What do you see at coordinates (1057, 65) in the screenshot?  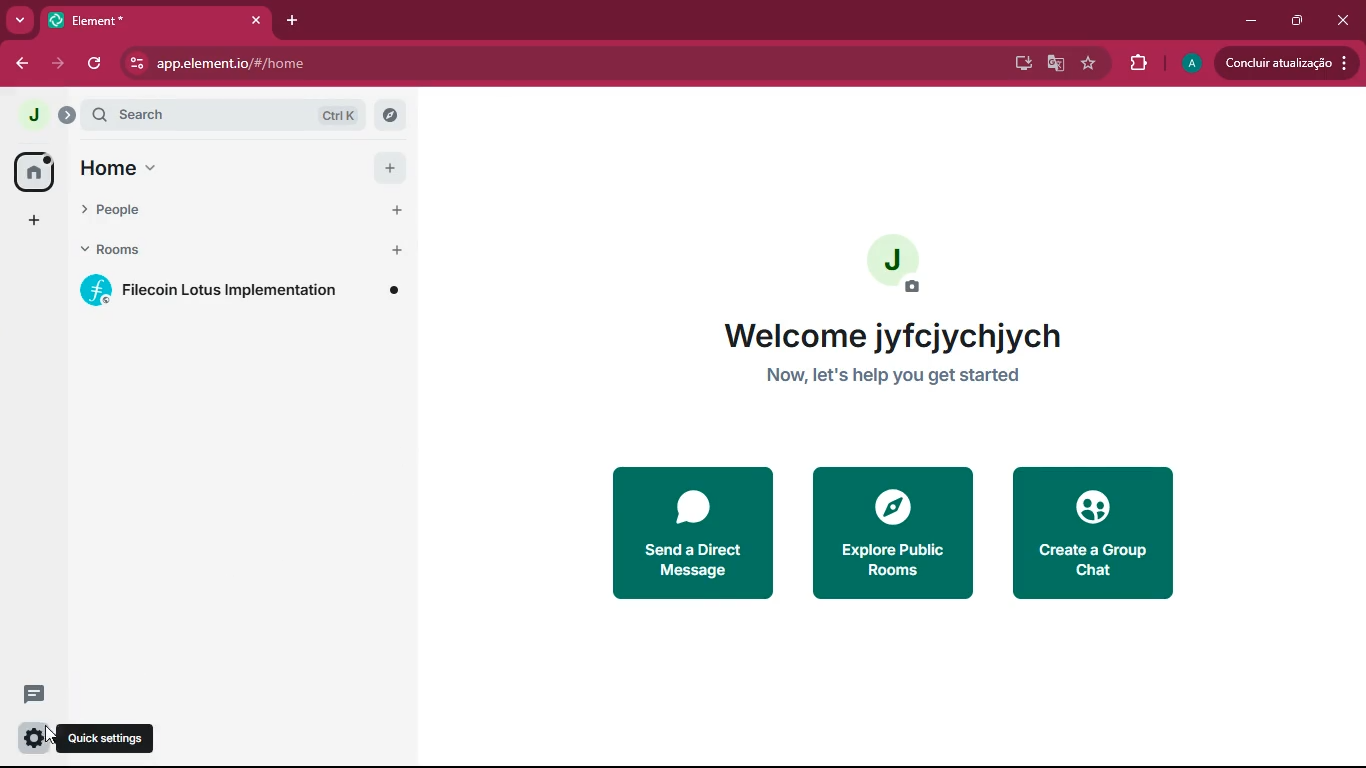 I see `google translate` at bounding box center [1057, 65].